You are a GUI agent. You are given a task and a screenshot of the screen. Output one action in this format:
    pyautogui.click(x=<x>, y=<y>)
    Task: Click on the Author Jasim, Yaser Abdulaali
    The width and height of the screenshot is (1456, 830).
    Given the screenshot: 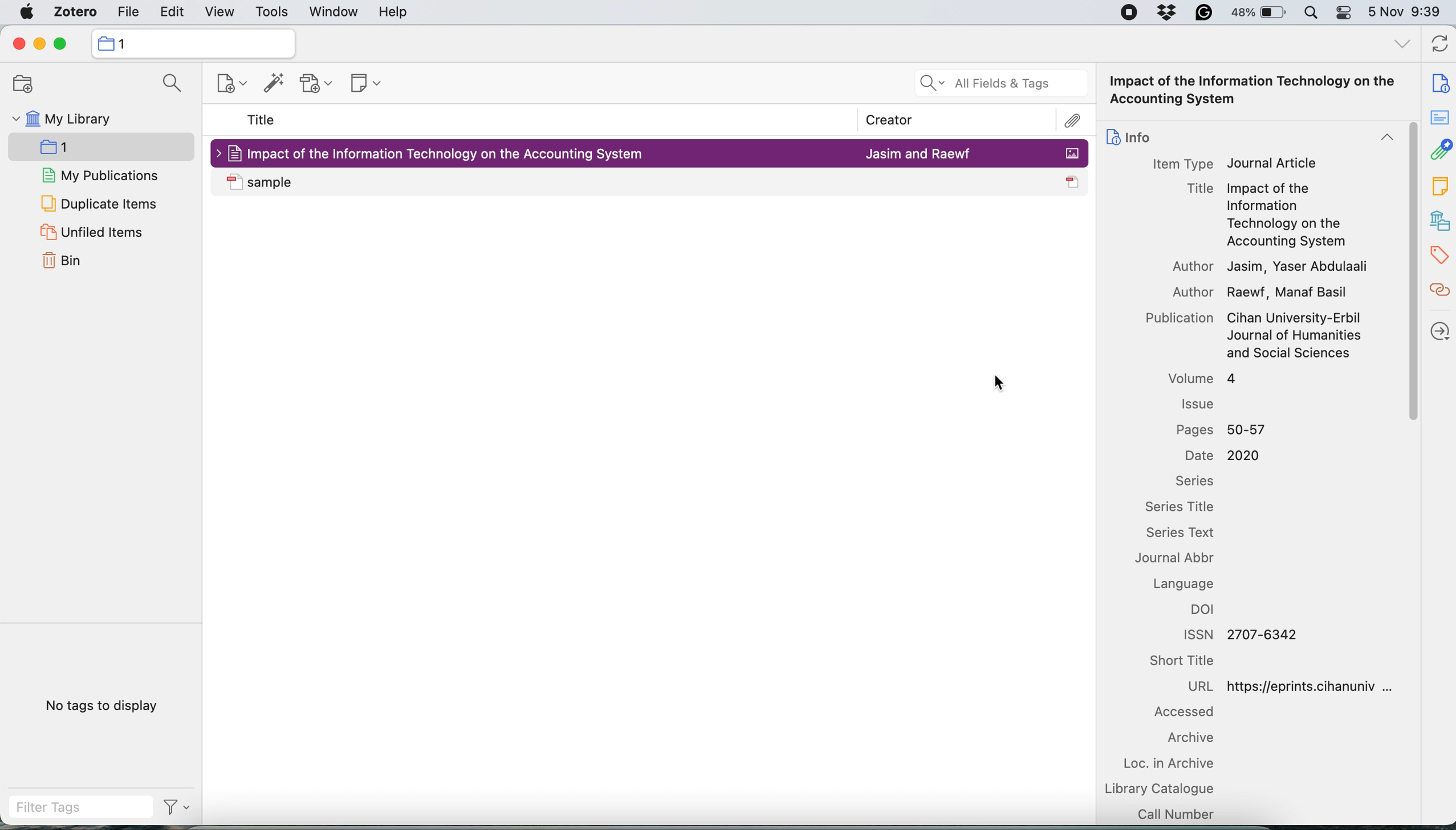 What is the action you would take?
    pyautogui.click(x=1272, y=267)
    